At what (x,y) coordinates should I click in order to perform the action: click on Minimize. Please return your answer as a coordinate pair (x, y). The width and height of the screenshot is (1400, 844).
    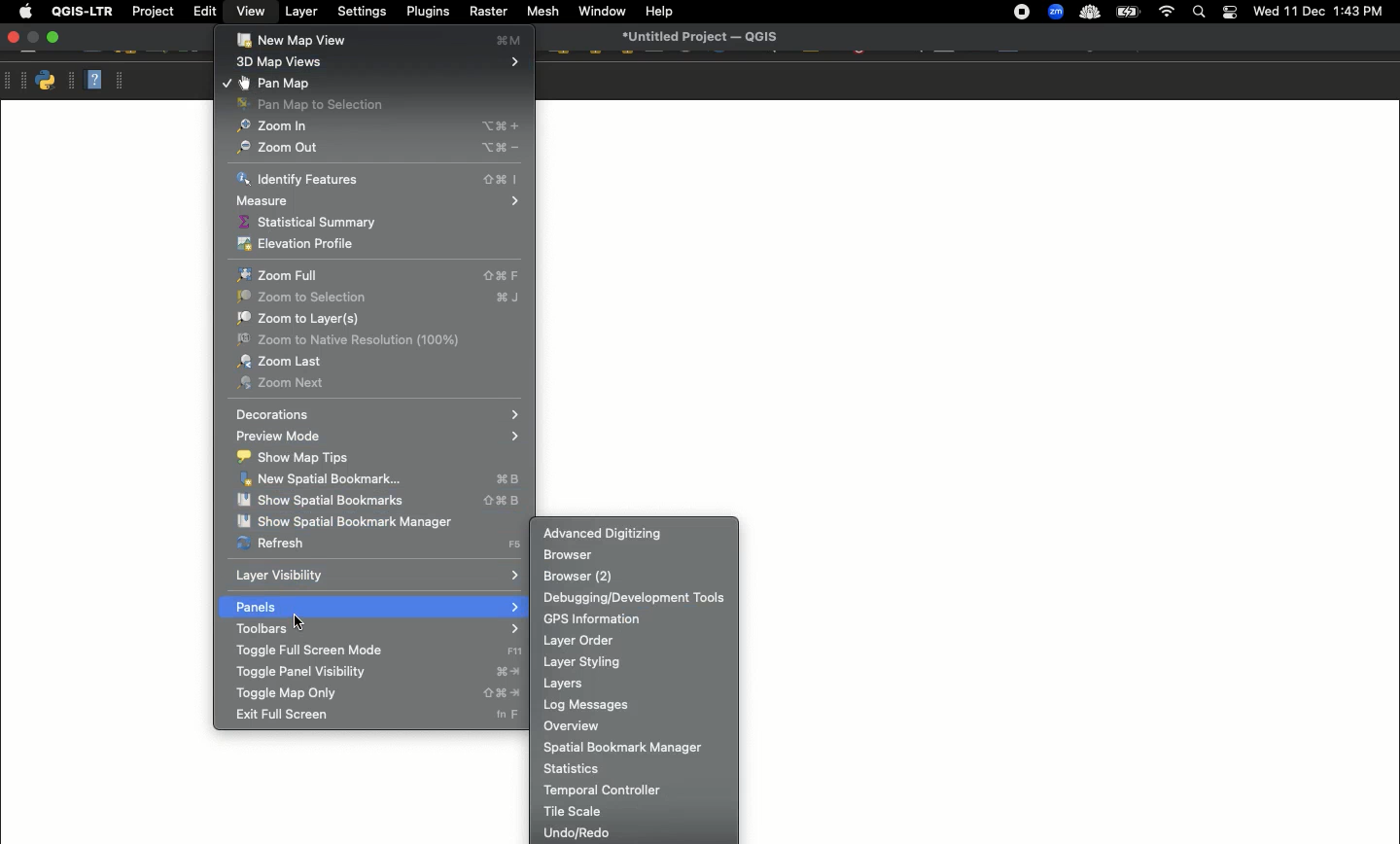
    Looking at the image, I should click on (33, 38).